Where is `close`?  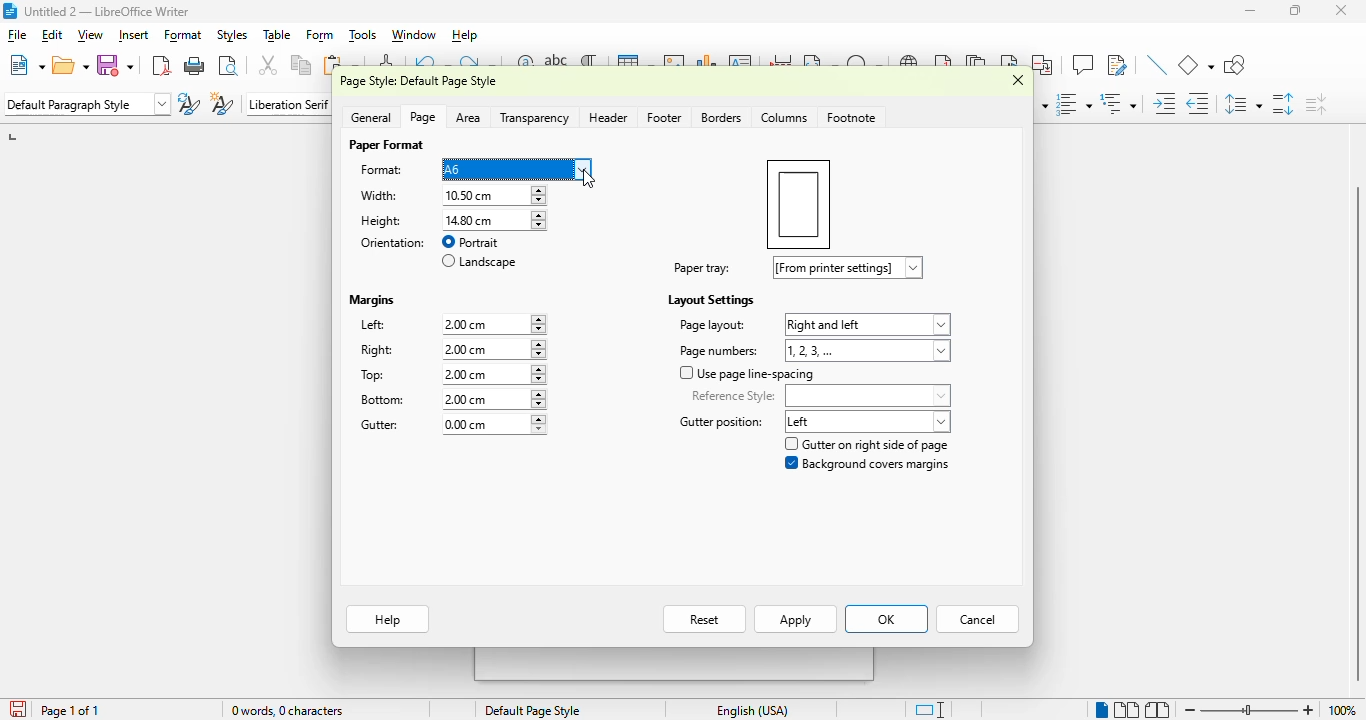
close is located at coordinates (1340, 10).